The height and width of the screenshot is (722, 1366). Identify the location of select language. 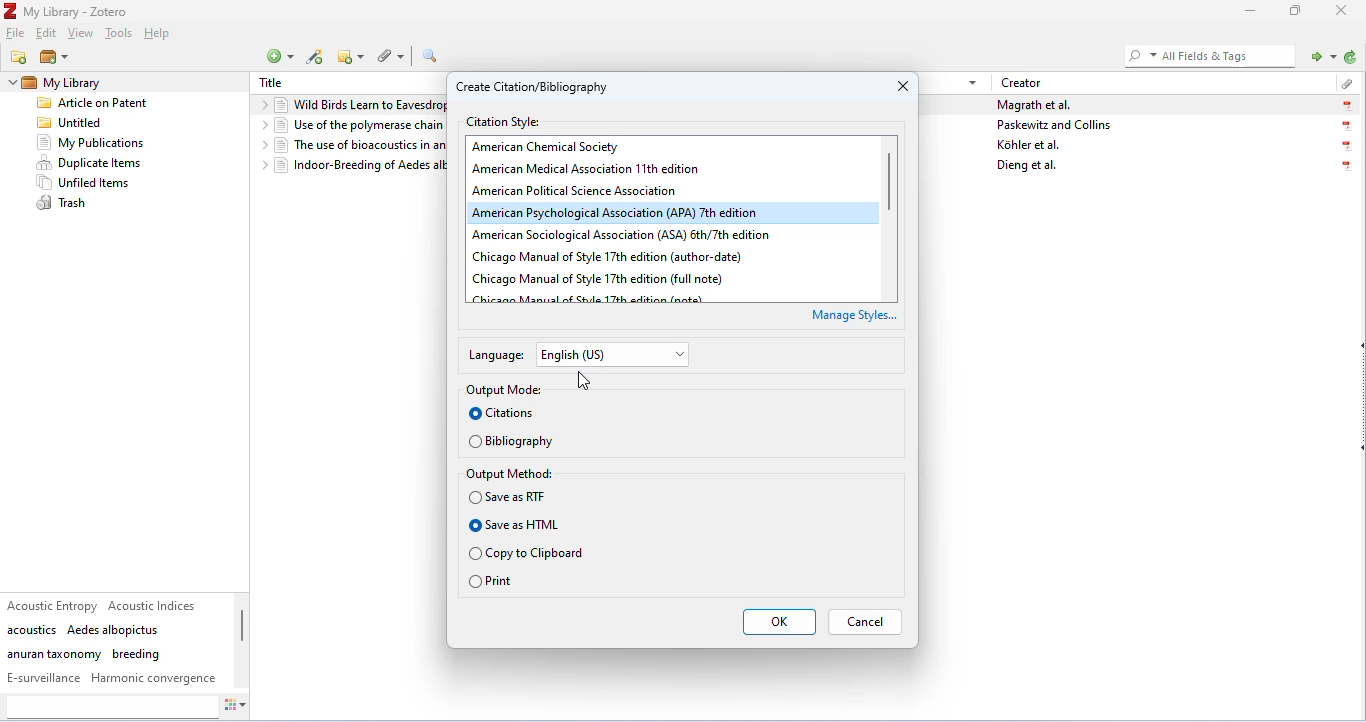
(616, 355).